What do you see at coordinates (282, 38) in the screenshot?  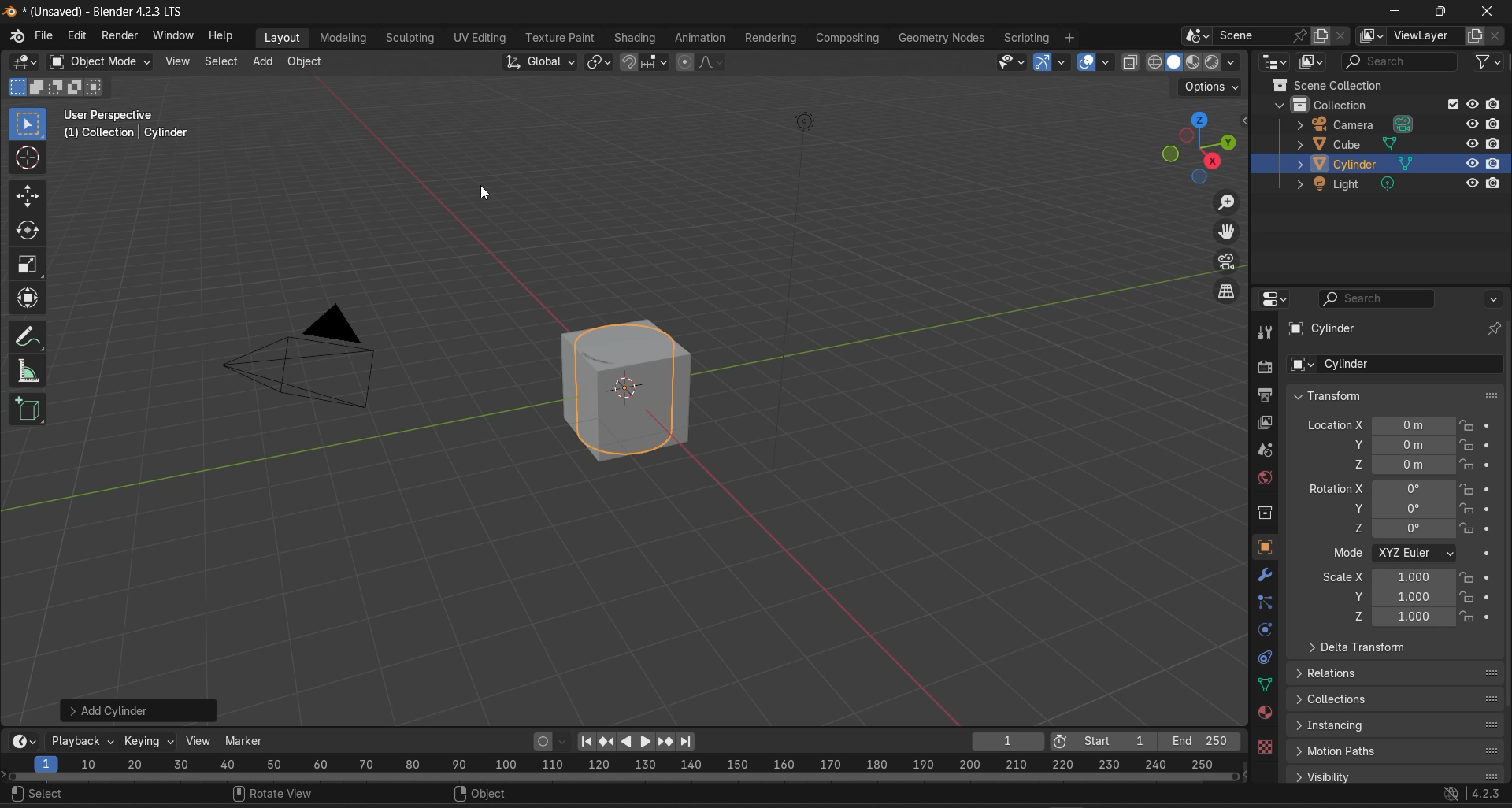 I see `layout` at bounding box center [282, 38].